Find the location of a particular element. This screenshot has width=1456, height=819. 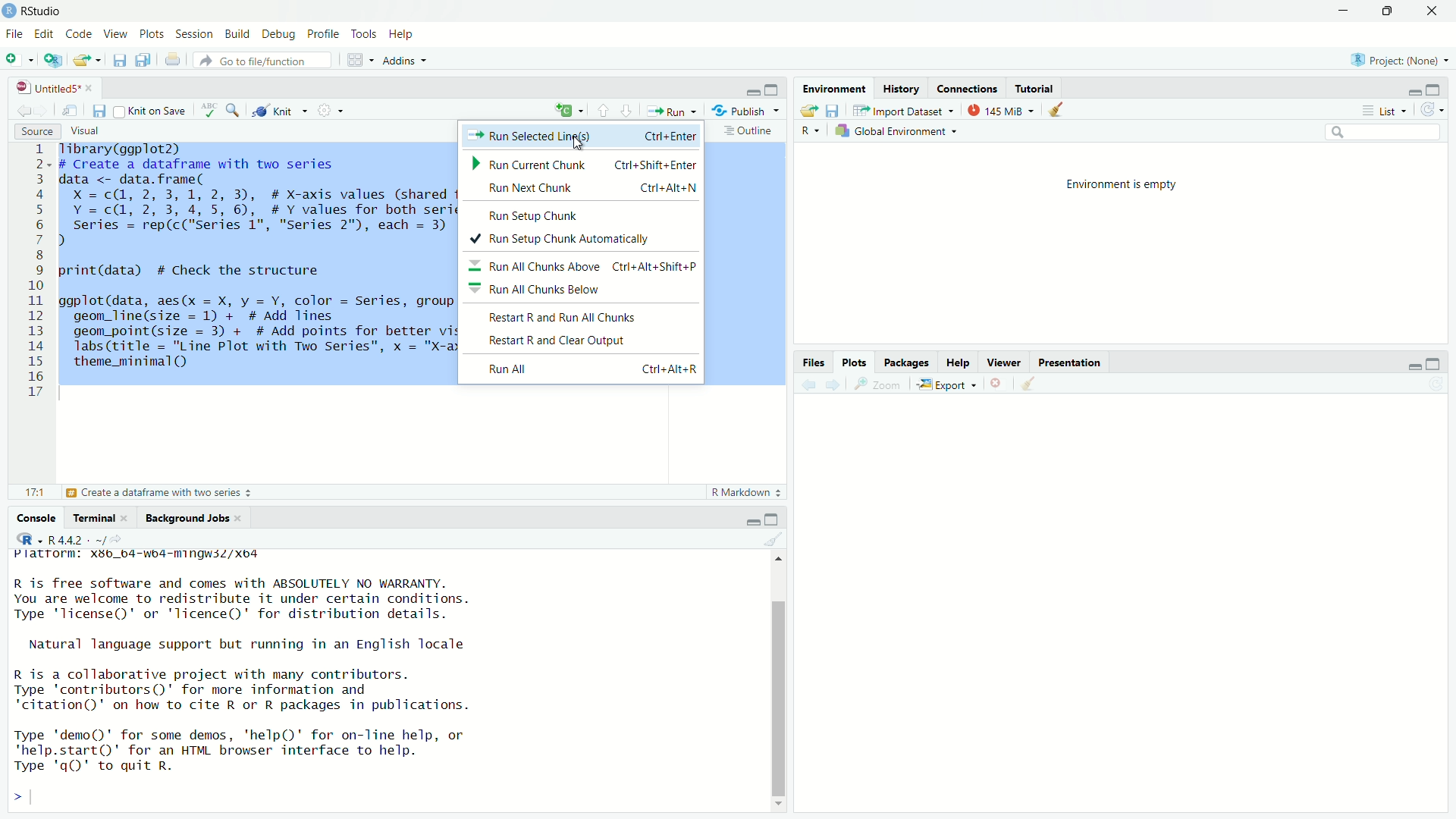

Plots is located at coordinates (857, 363).